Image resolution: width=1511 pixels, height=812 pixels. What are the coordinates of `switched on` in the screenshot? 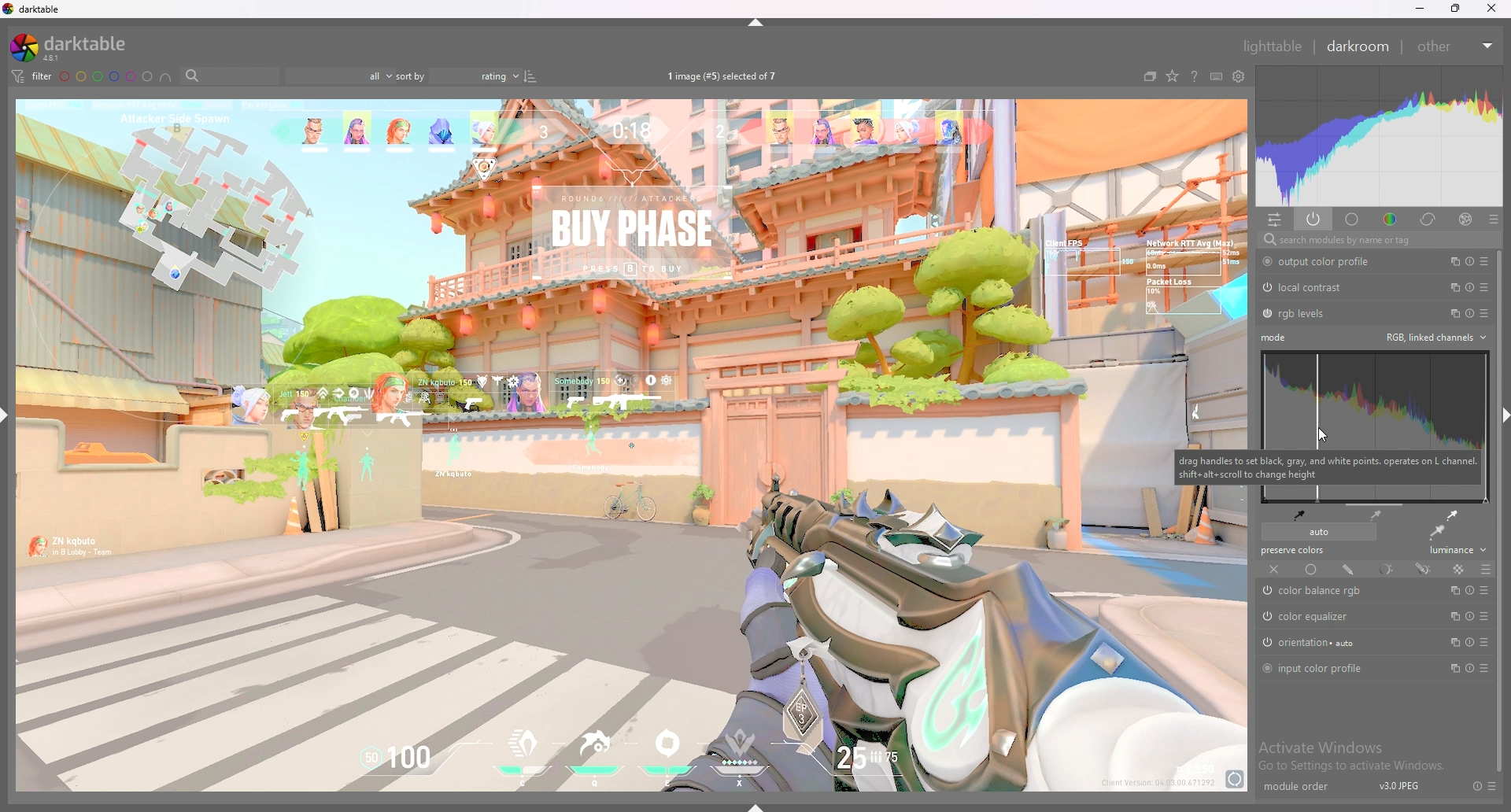 It's located at (1265, 288).